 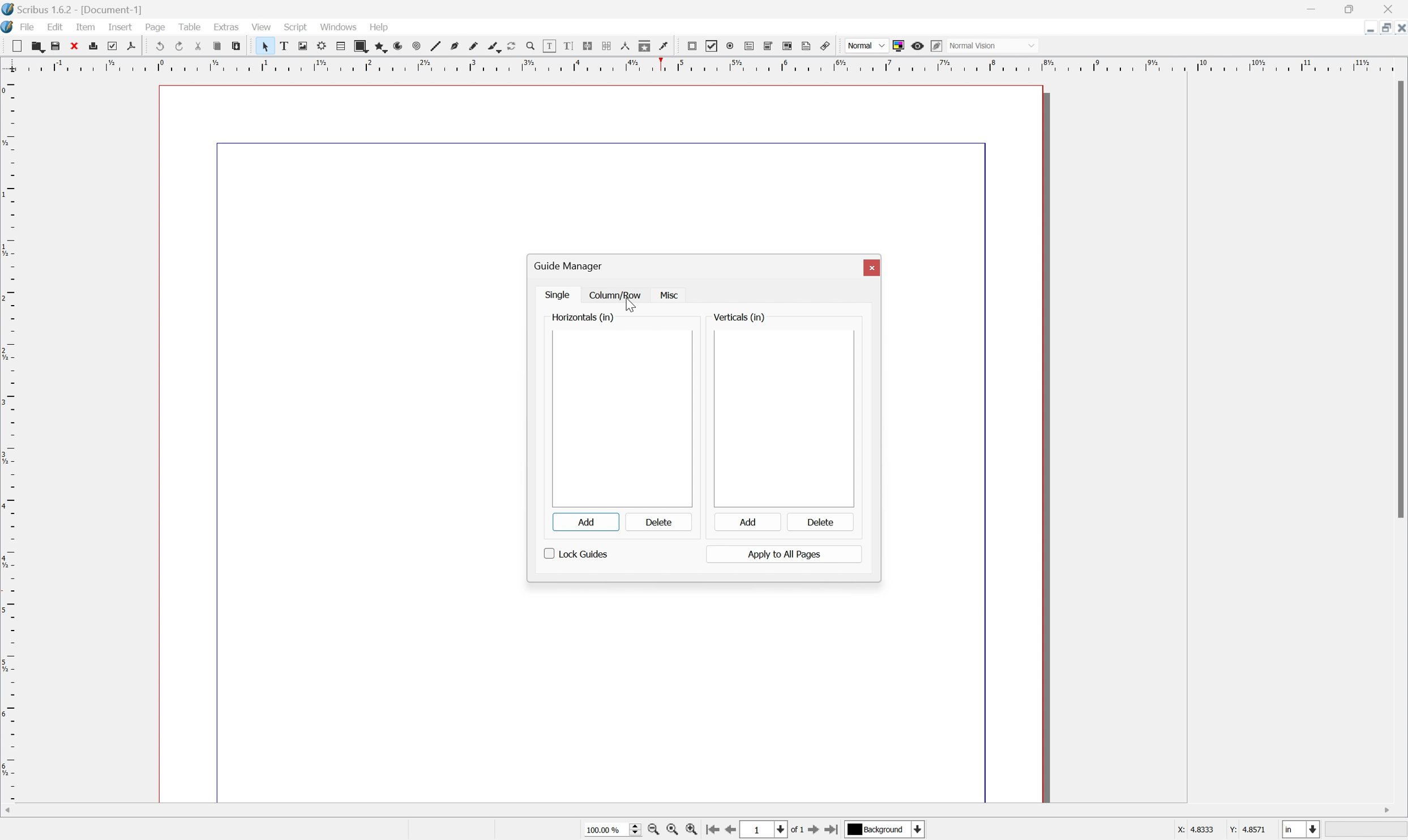 What do you see at coordinates (588, 45) in the screenshot?
I see `link text frames` at bounding box center [588, 45].